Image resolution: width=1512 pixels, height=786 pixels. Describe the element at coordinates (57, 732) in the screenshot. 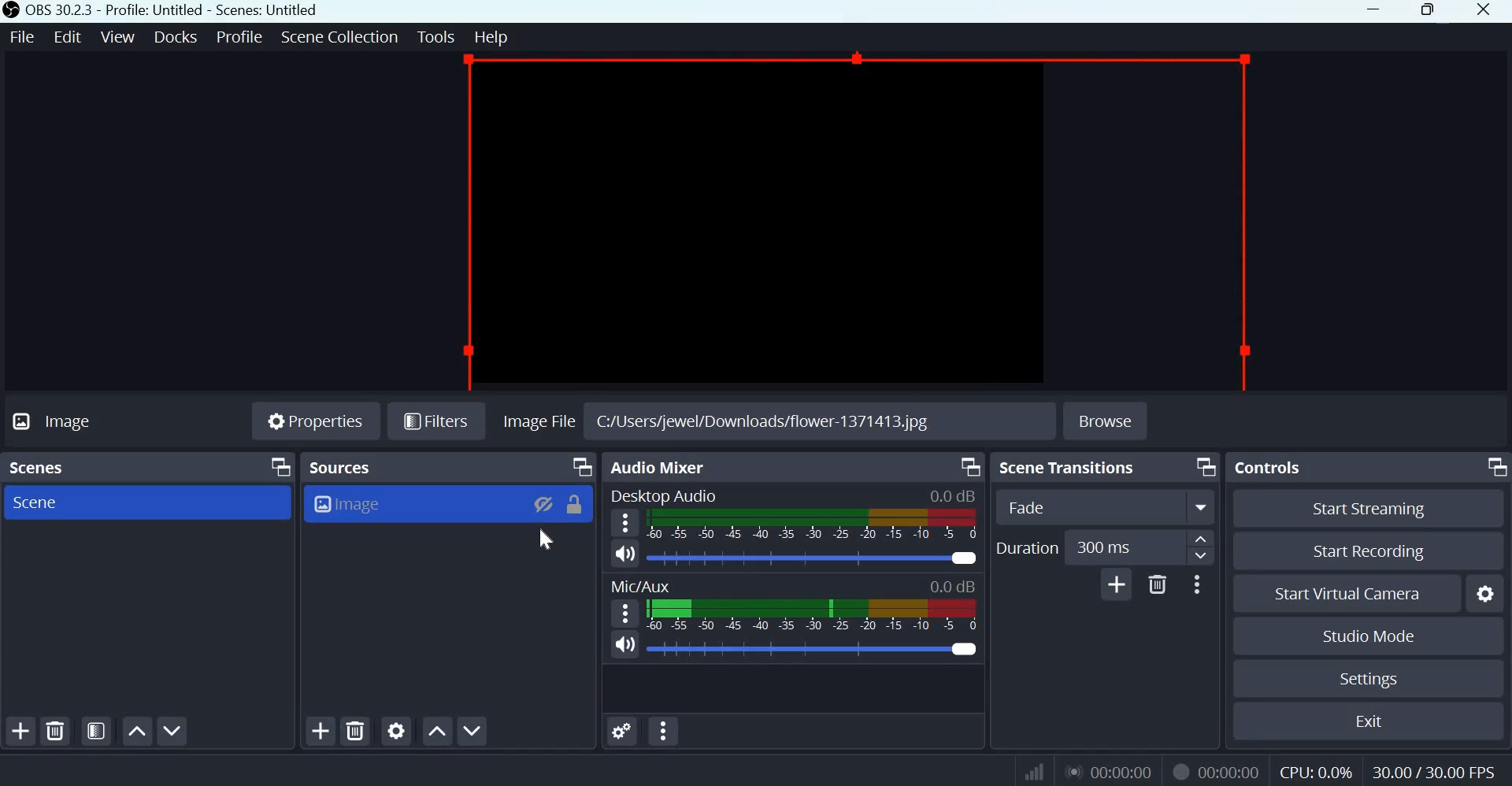

I see `Remove selected scene` at that location.